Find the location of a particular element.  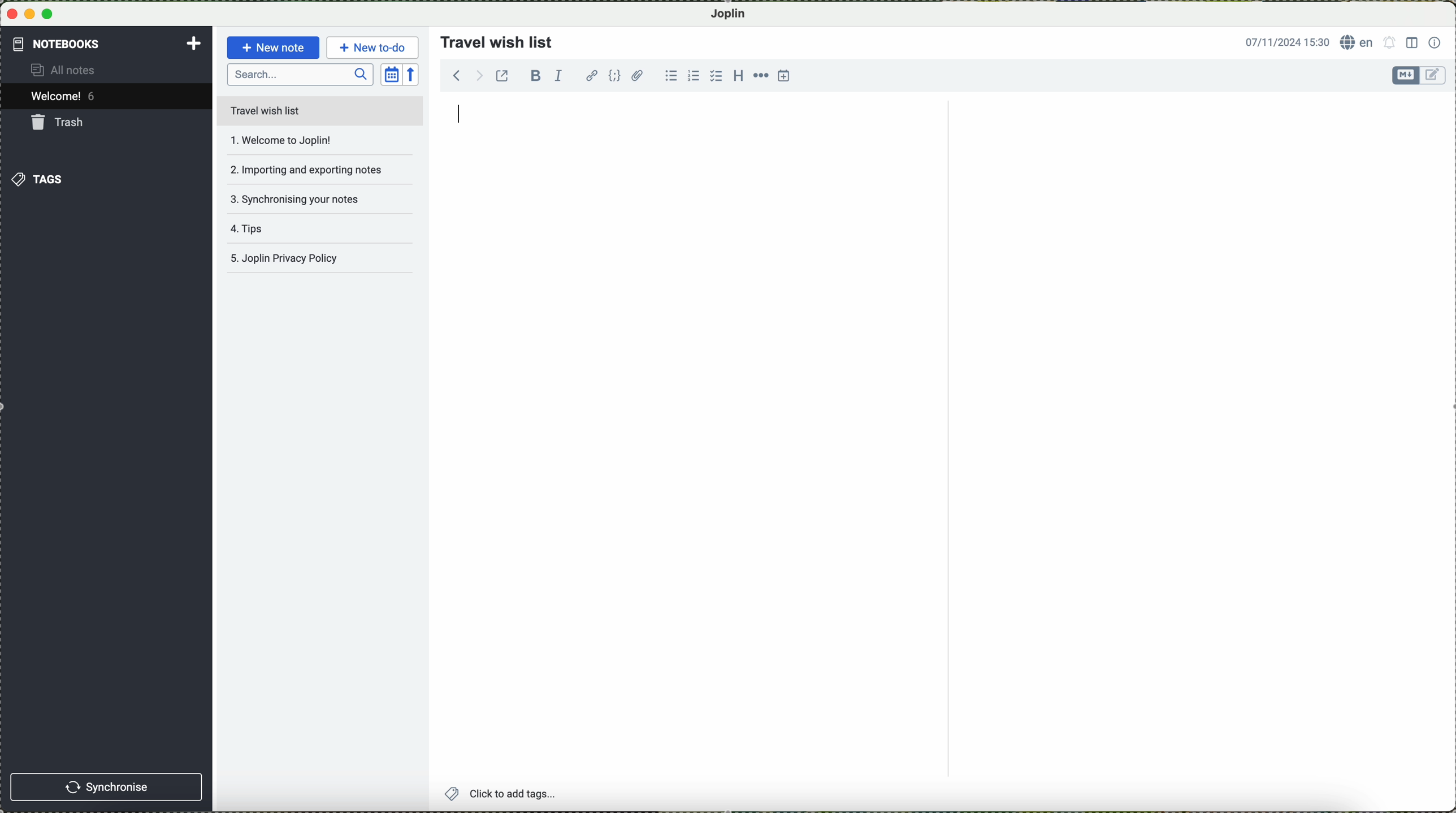

typing is located at coordinates (460, 116).